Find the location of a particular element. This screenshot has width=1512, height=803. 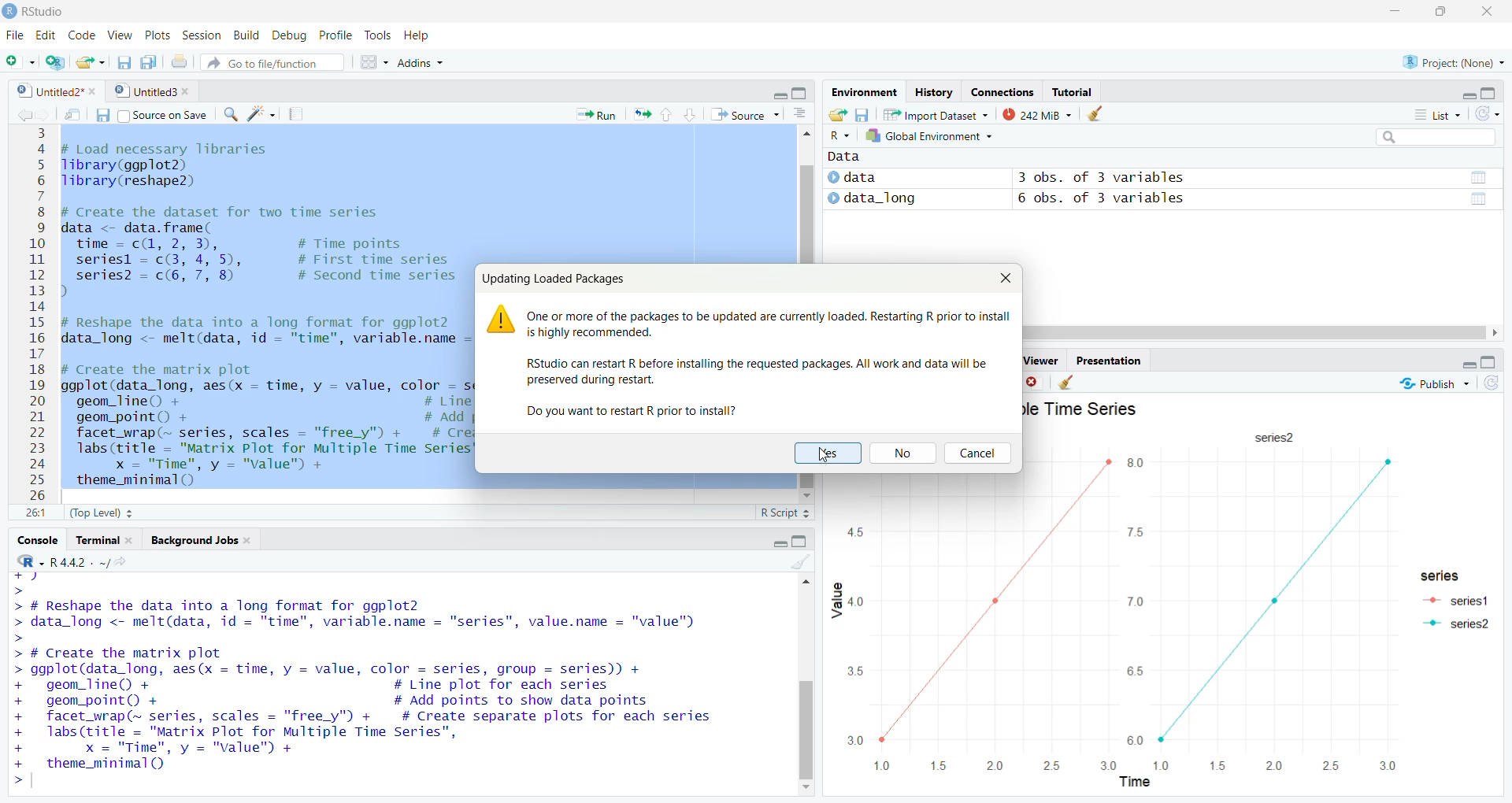

Profile is located at coordinates (339, 35).